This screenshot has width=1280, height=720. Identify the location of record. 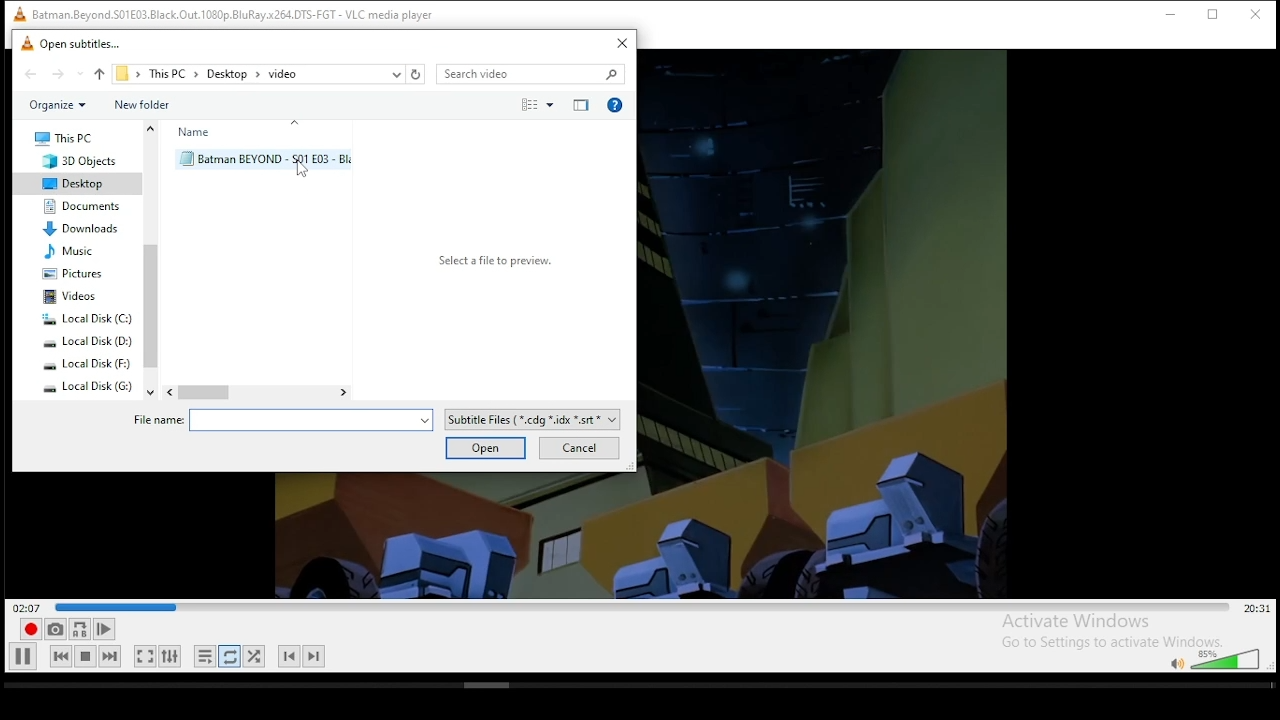
(31, 629).